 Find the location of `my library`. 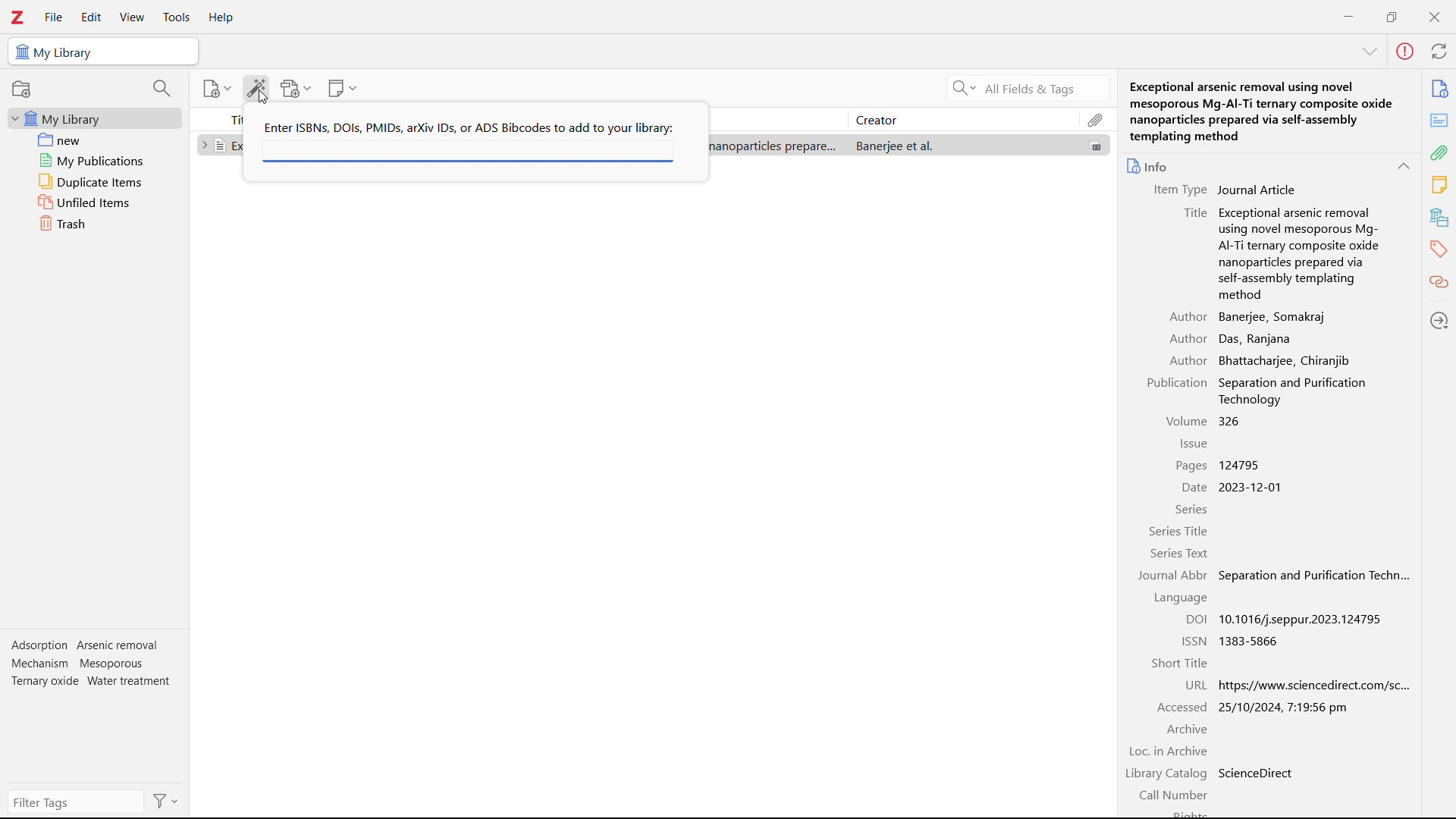

my library is located at coordinates (95, 118).